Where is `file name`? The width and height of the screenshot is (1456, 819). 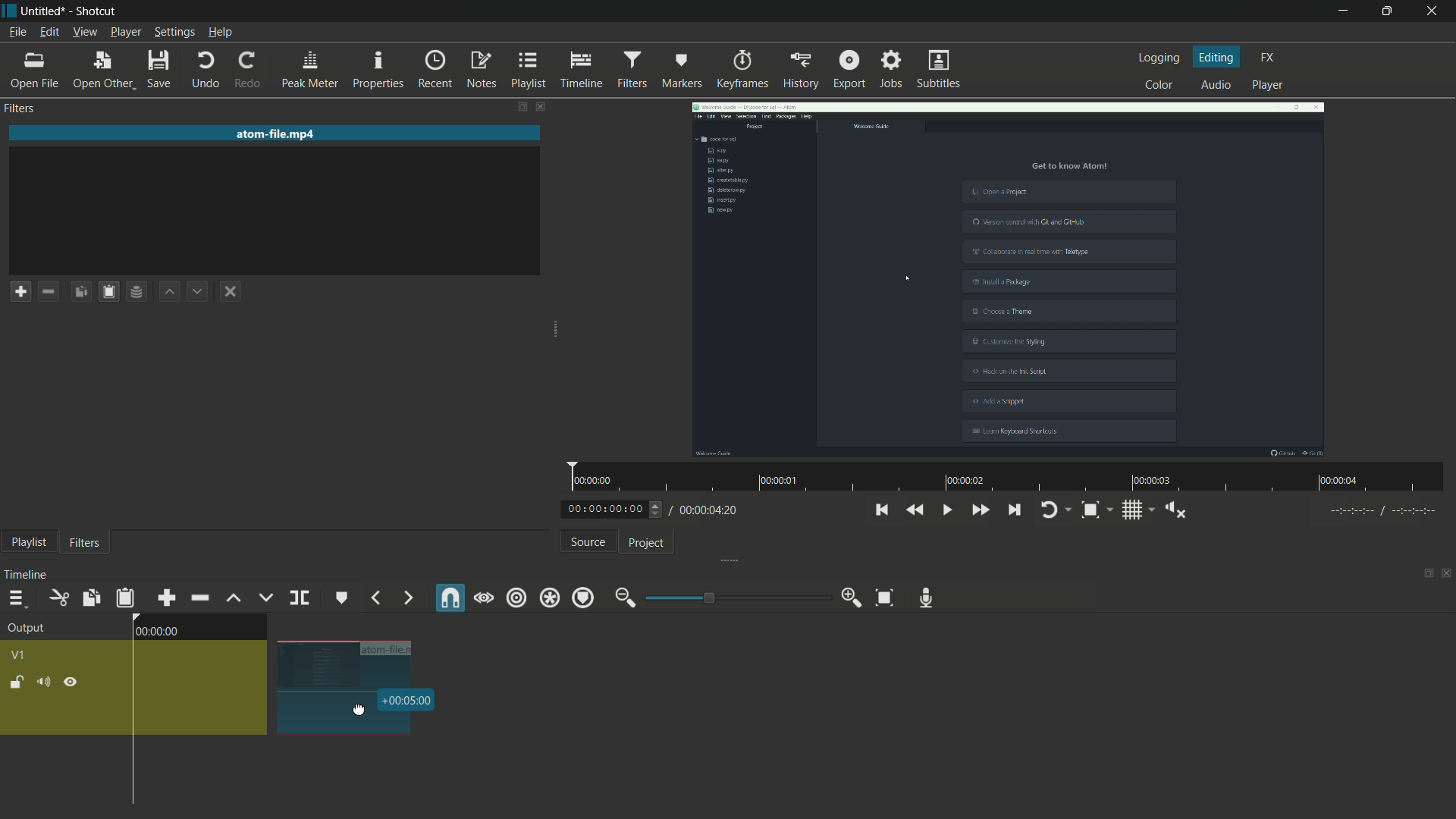 file name is located at coordinates (43, 11).